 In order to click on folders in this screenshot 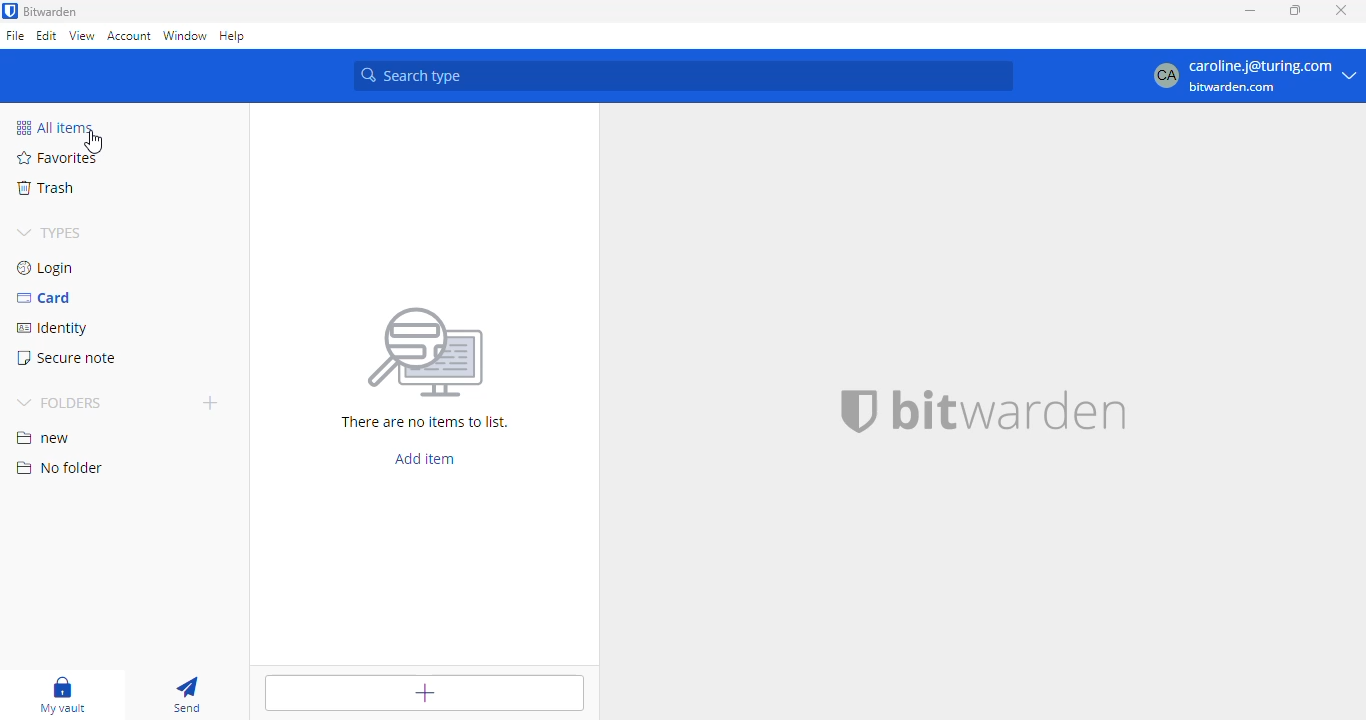, I will do `click(60, 403)`.